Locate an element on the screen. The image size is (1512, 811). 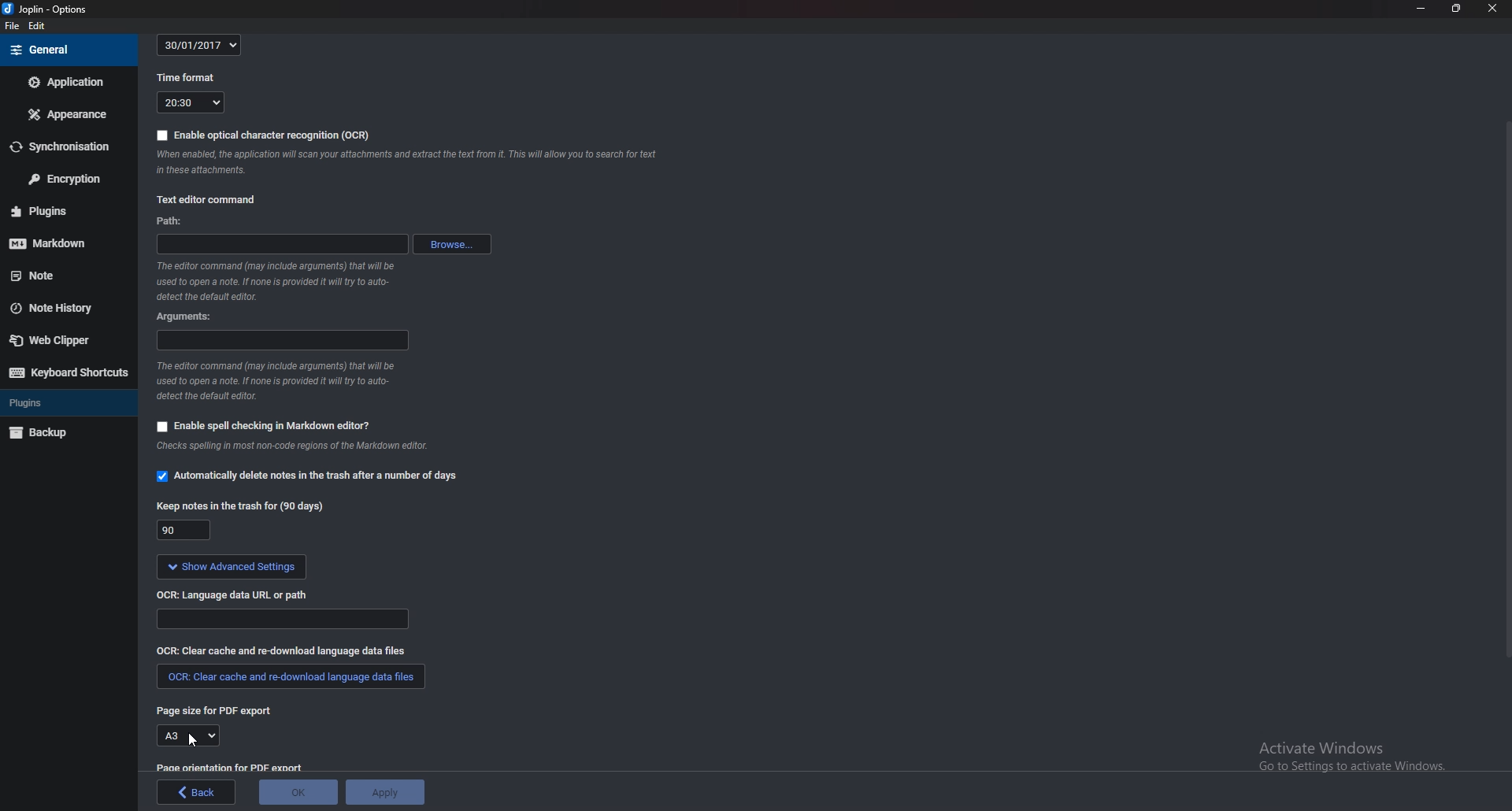
path is located at coordinates (171, 220).